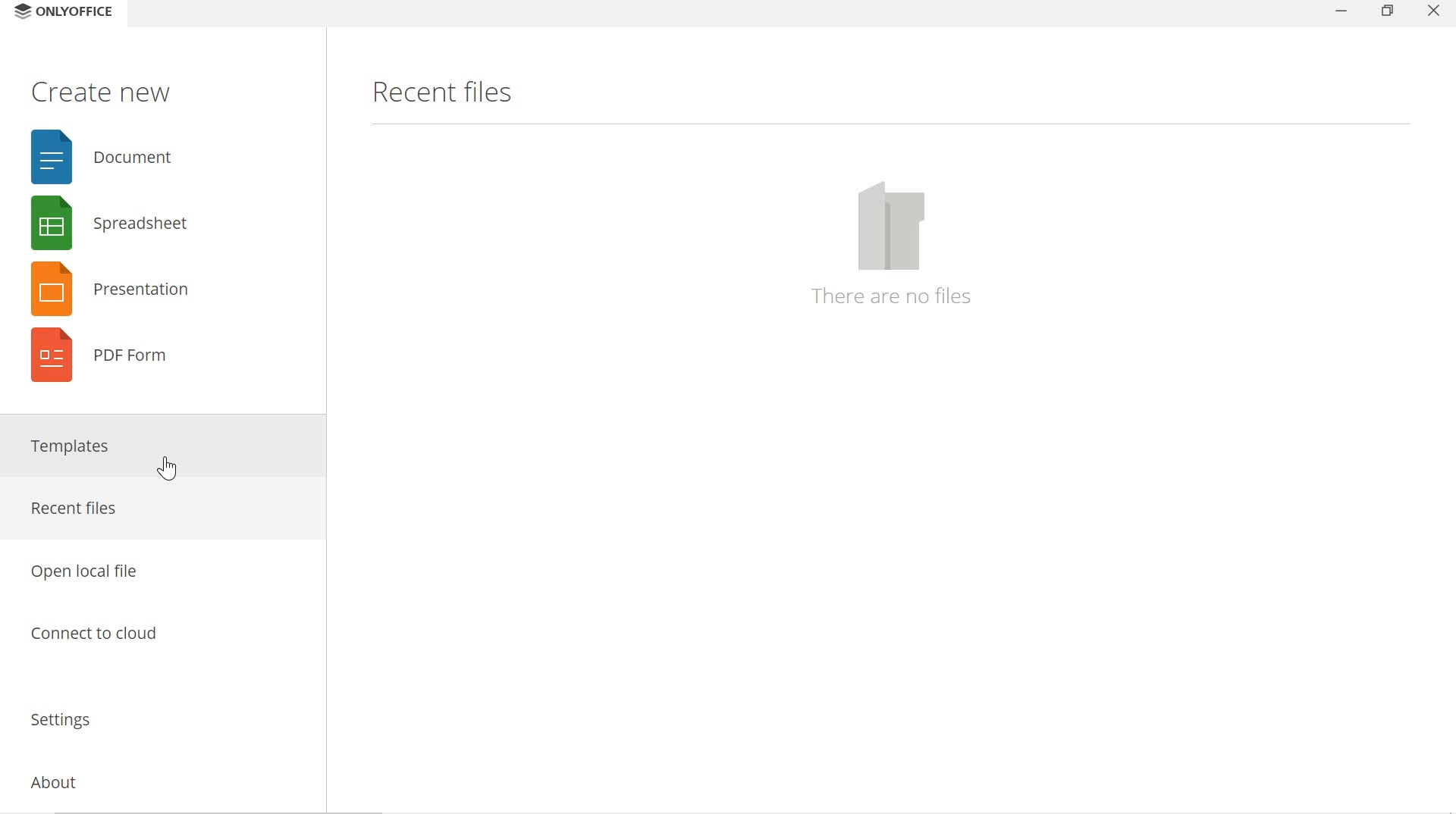 This screenshot has height=814, width=1456. I want to click on recent files, so click(156, 509).